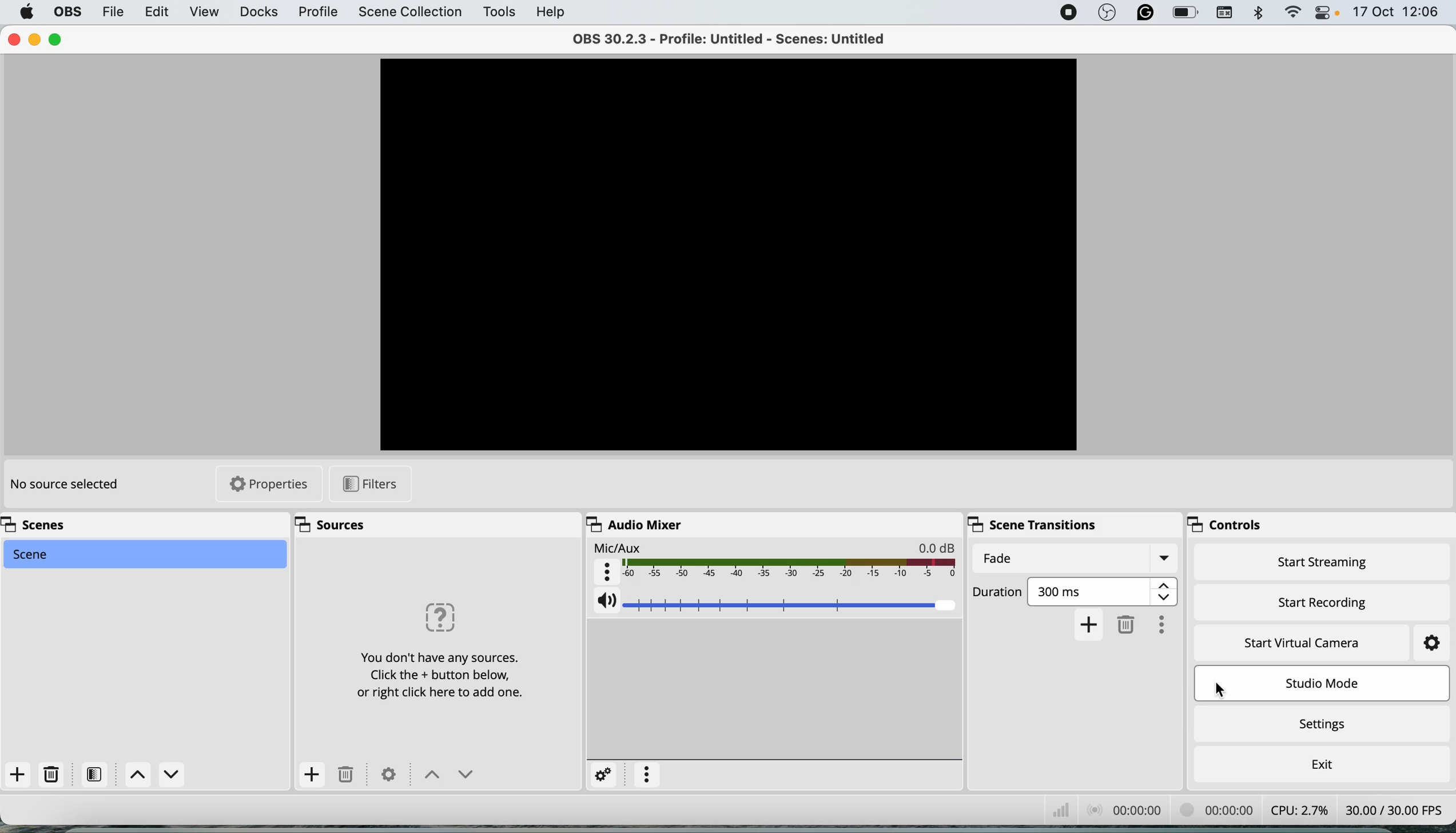 This screenshot has width=1456, height=833. What do you see at coordinates (649, 775) in the screenshot?
I see `more settings` at bounding box center [649, 775].